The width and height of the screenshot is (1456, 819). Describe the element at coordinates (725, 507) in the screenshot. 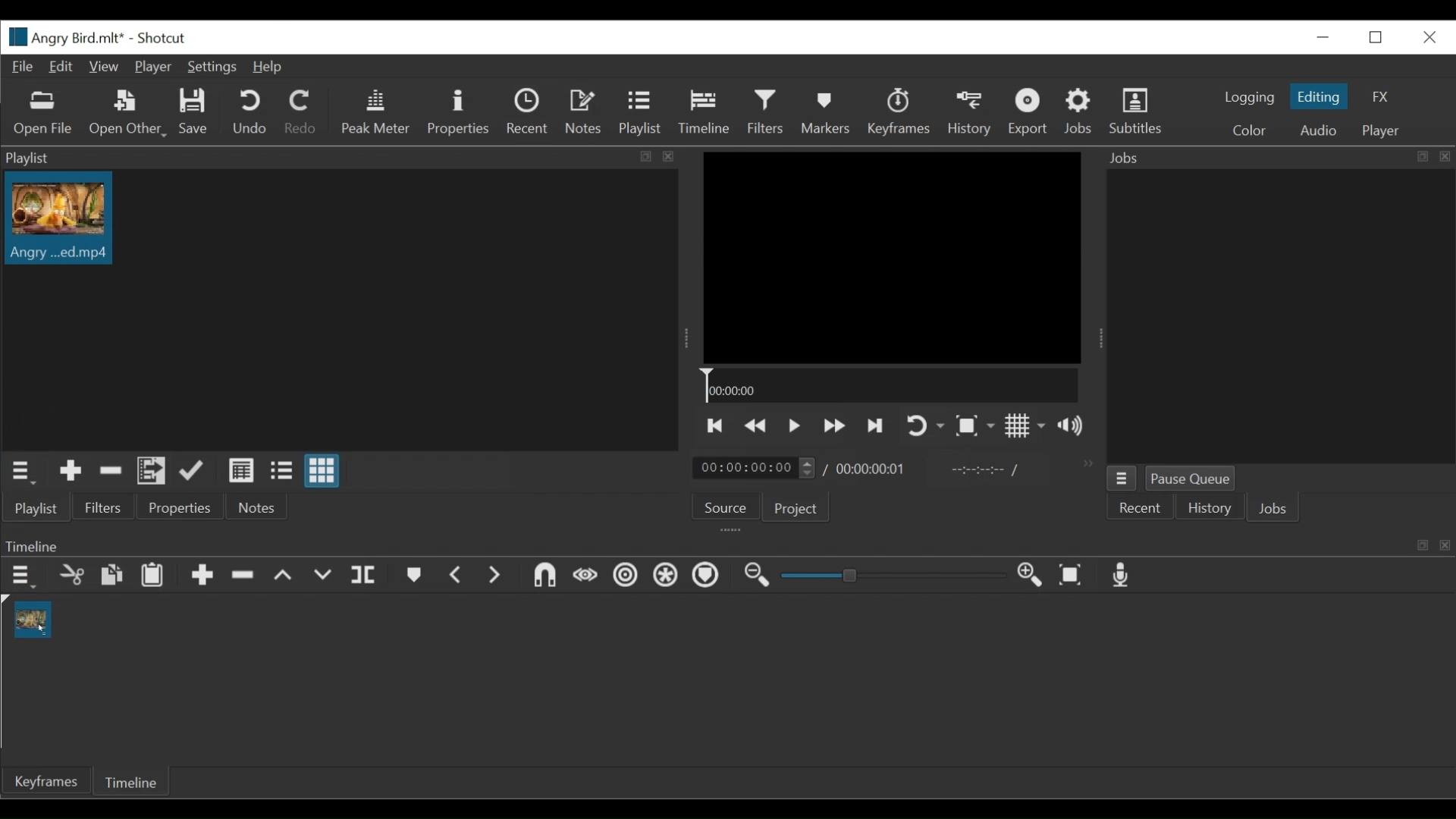

I see `Source` at that location.